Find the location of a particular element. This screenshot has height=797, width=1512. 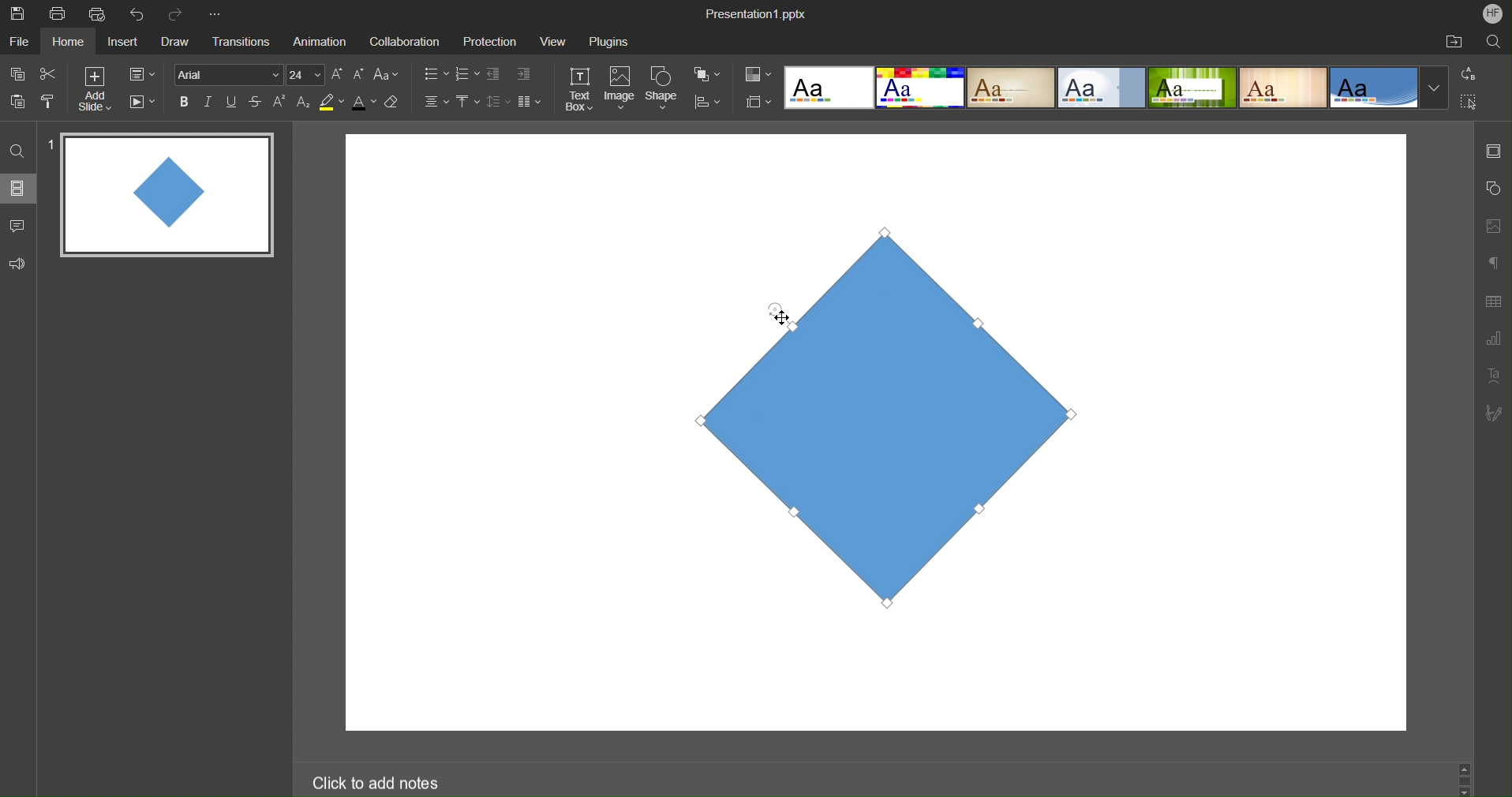

Slide Settings is located at coordinates (1495, 148).